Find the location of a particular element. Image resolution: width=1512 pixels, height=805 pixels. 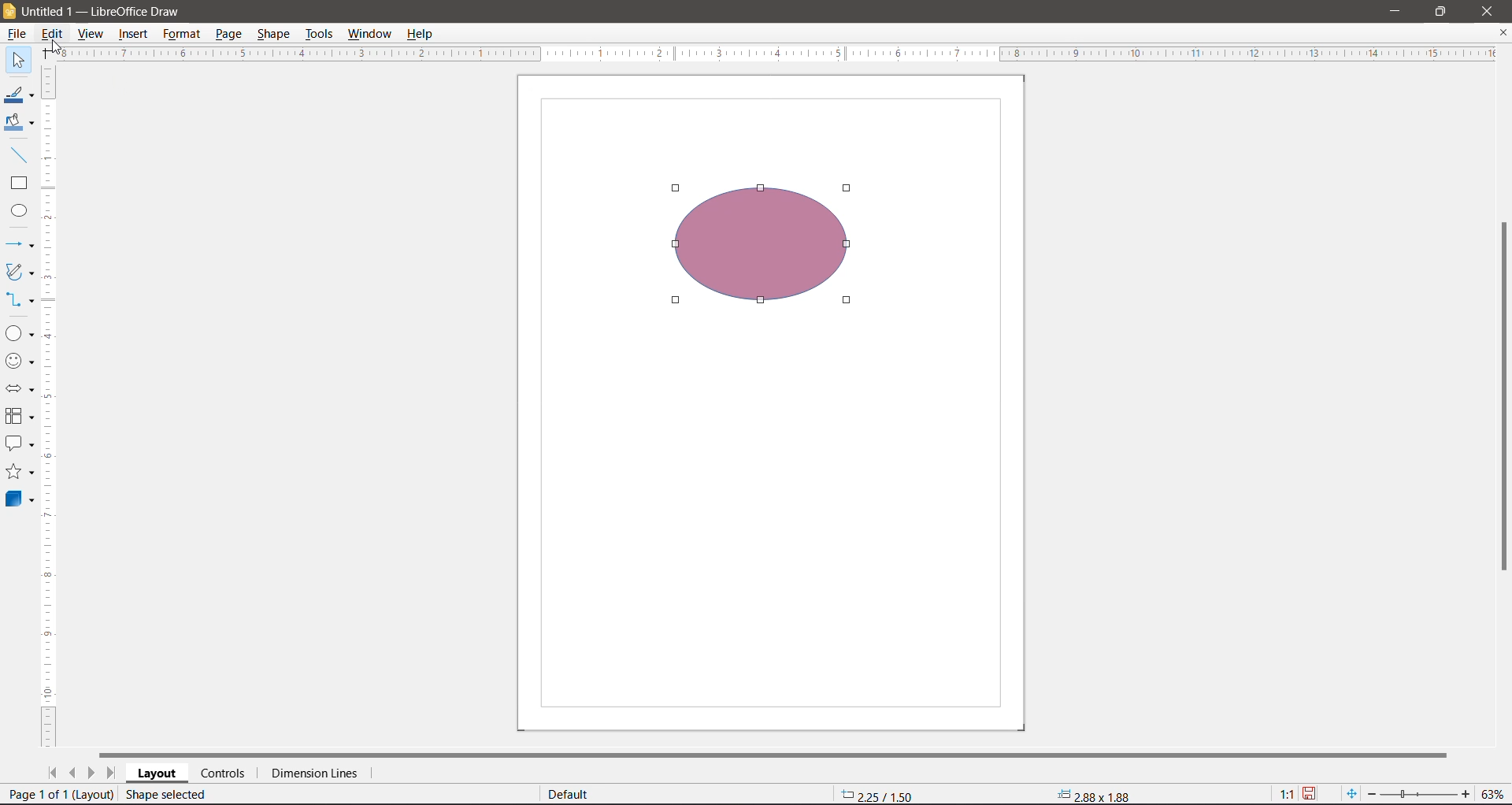

Scroll to previous page is located at coordinates (73, 773).